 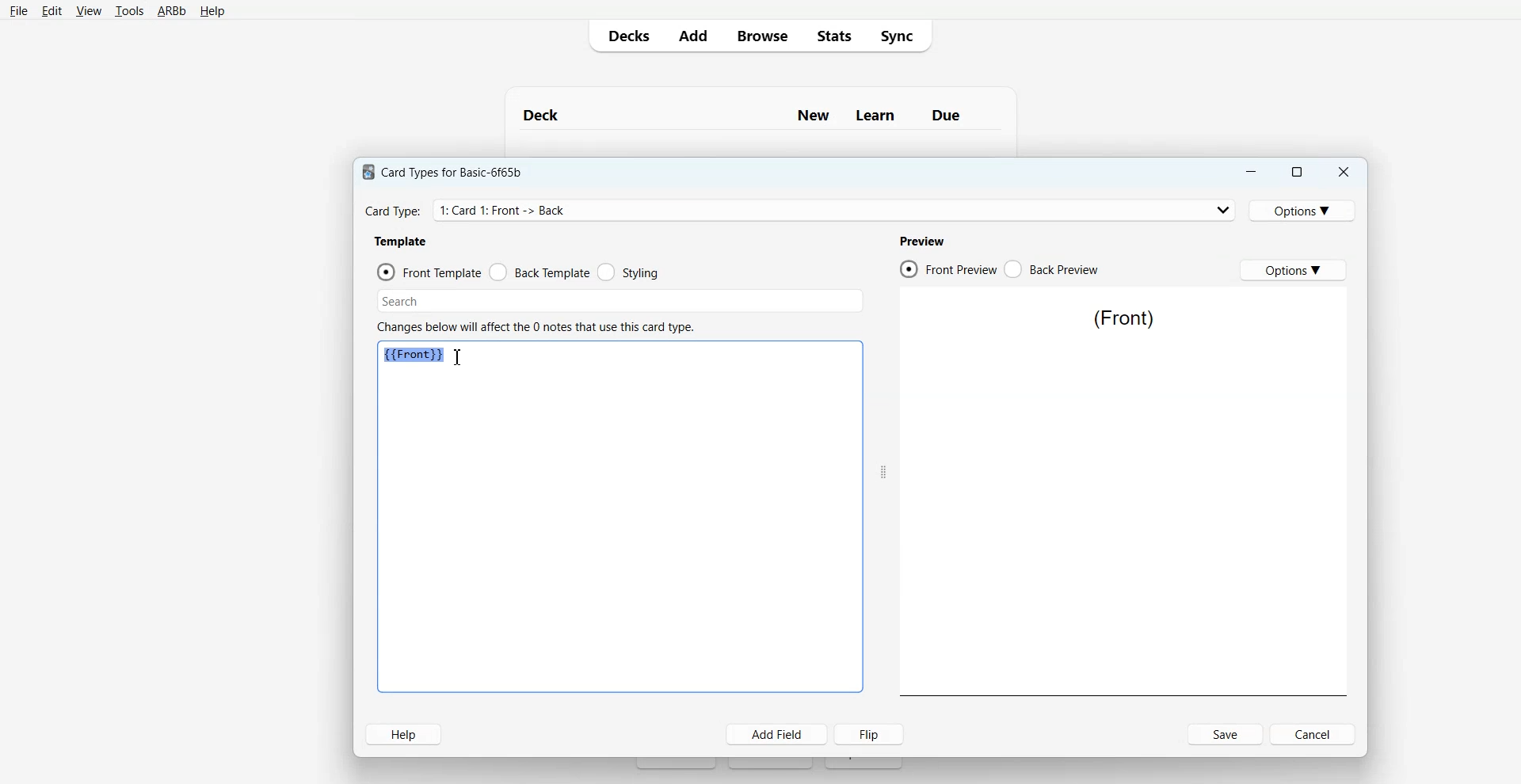 I want to click on Help, so click(x=211, y=12).